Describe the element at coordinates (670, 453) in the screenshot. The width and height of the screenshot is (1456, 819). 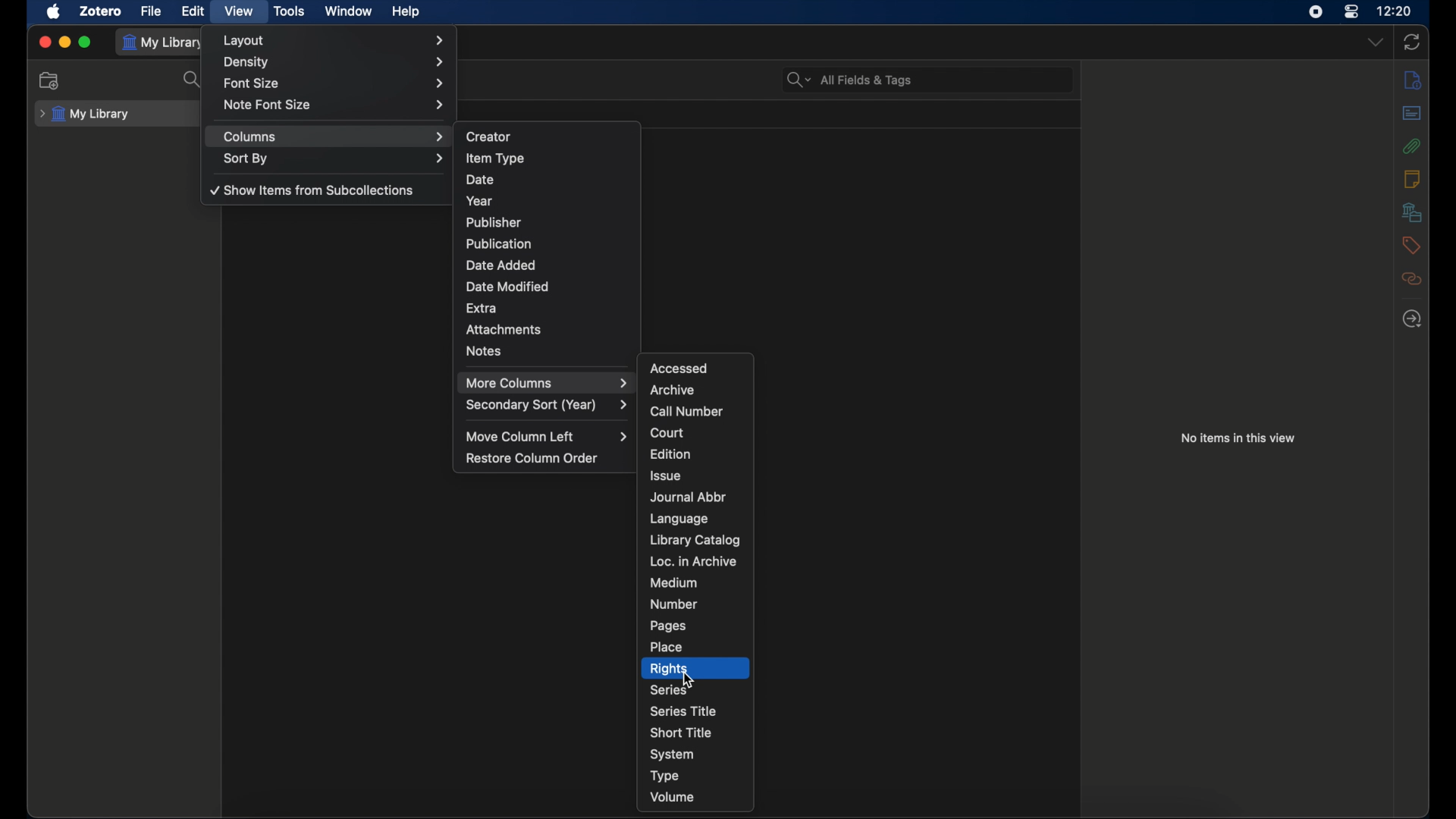
I see `edition` at that location.